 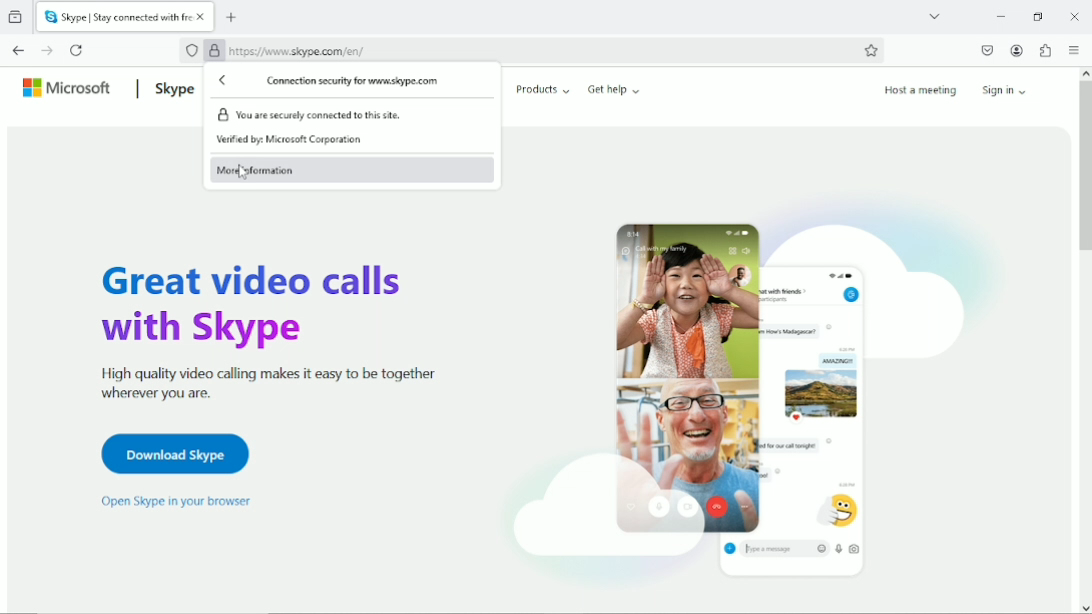 What do you see at coordinates (1085, 72) in the screenshot?
I see `scroll up` at bounding box center [1085, 72].